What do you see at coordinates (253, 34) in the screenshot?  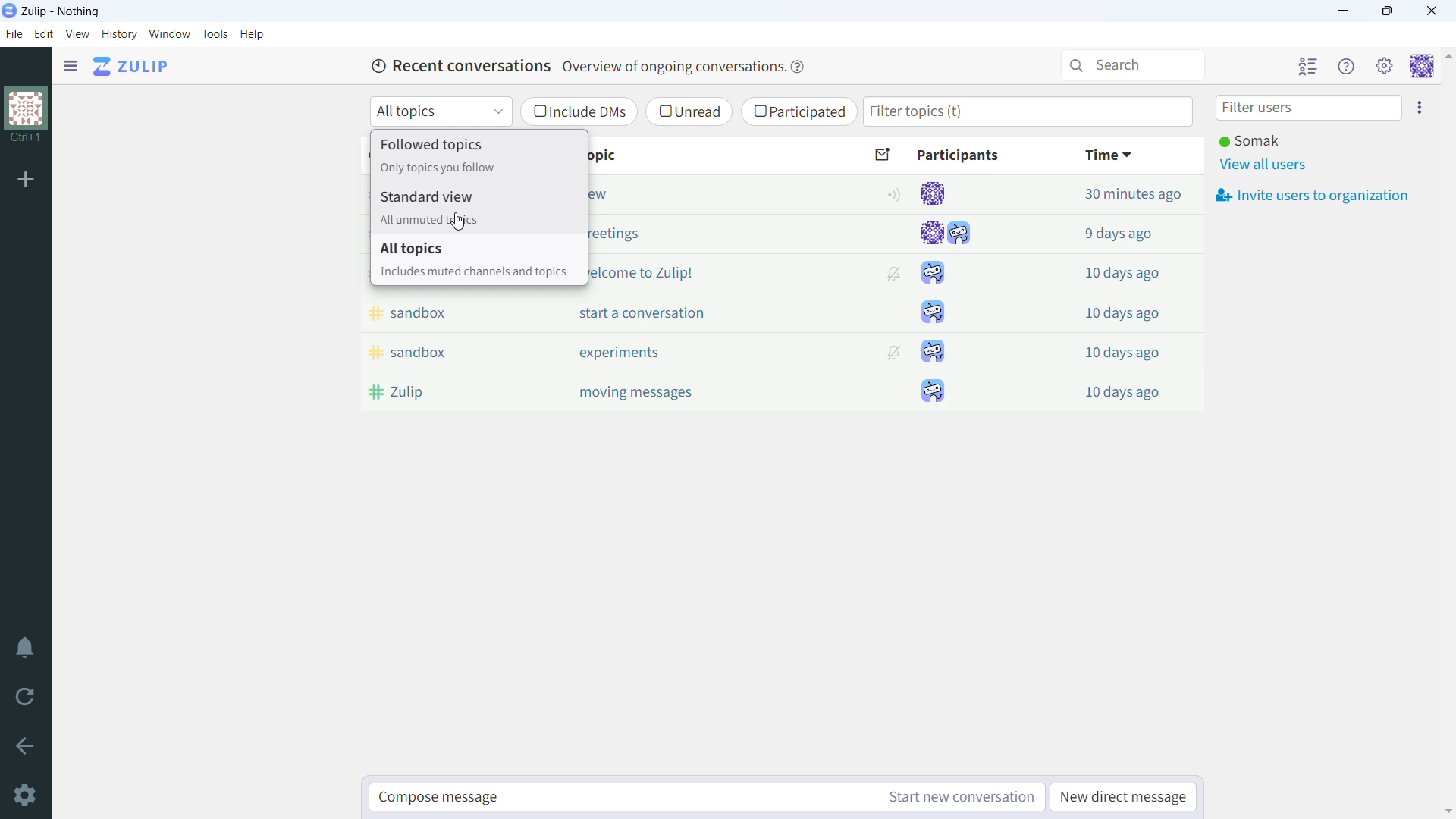 I see `h` at bounding box center [253, 34].